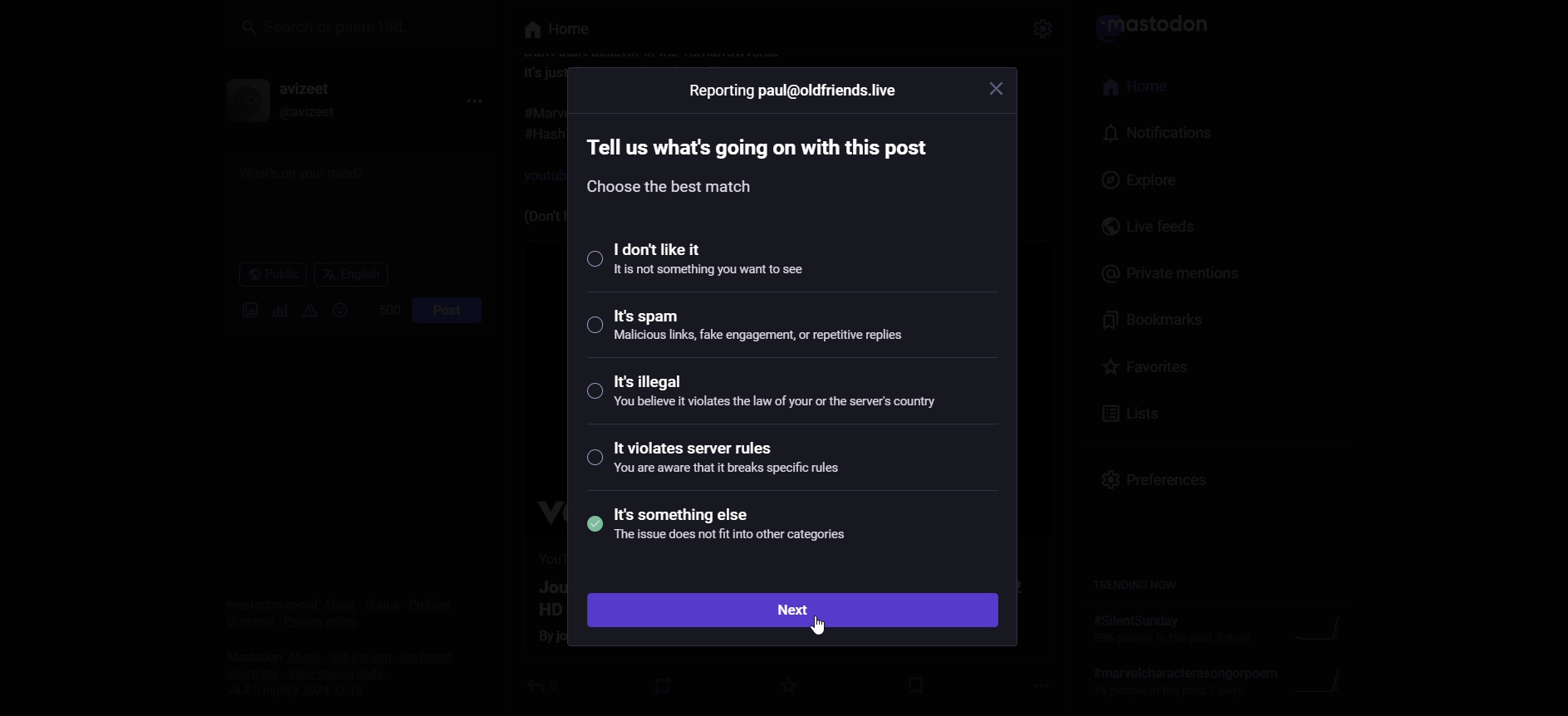 This screenshot has height=716, width=1568. Describe the element at coordinates (1143, 89) in the screenshot. I see `home` at that location.